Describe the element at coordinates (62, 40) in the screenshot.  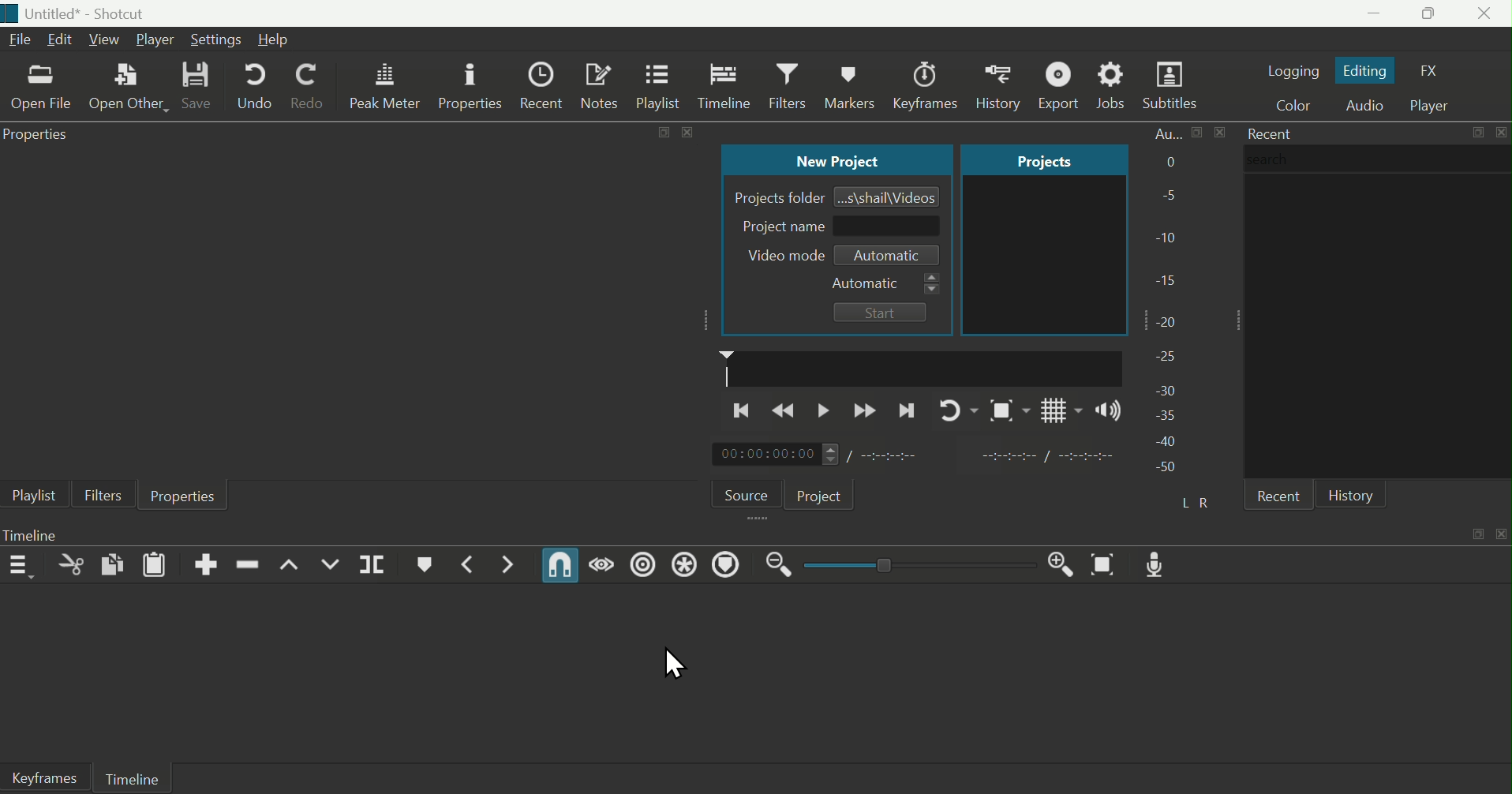
I see `Edit` at that location.